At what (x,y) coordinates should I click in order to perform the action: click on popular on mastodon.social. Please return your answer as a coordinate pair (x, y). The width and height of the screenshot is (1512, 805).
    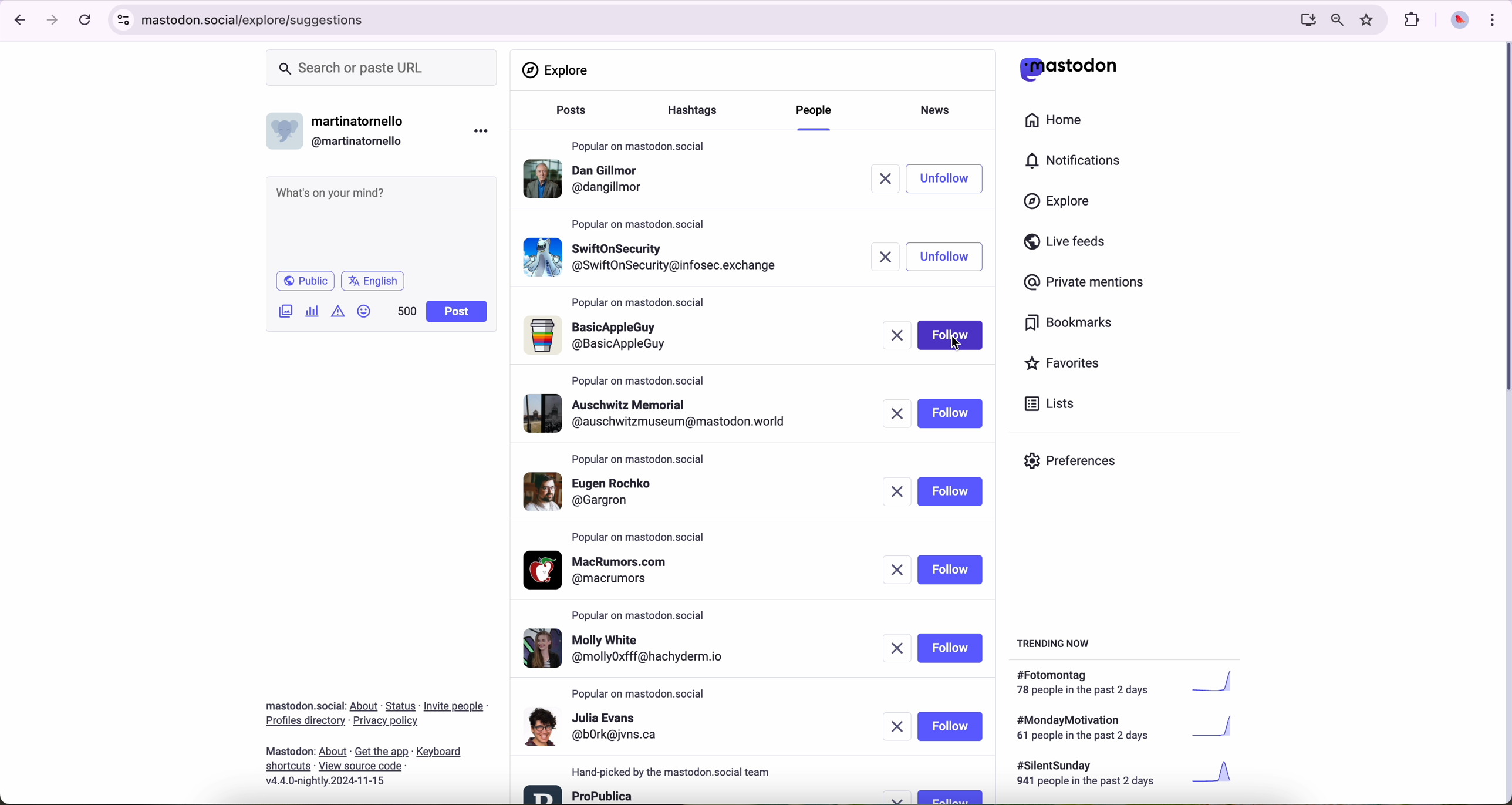
    Looking at the image, I should click on (642, 223).